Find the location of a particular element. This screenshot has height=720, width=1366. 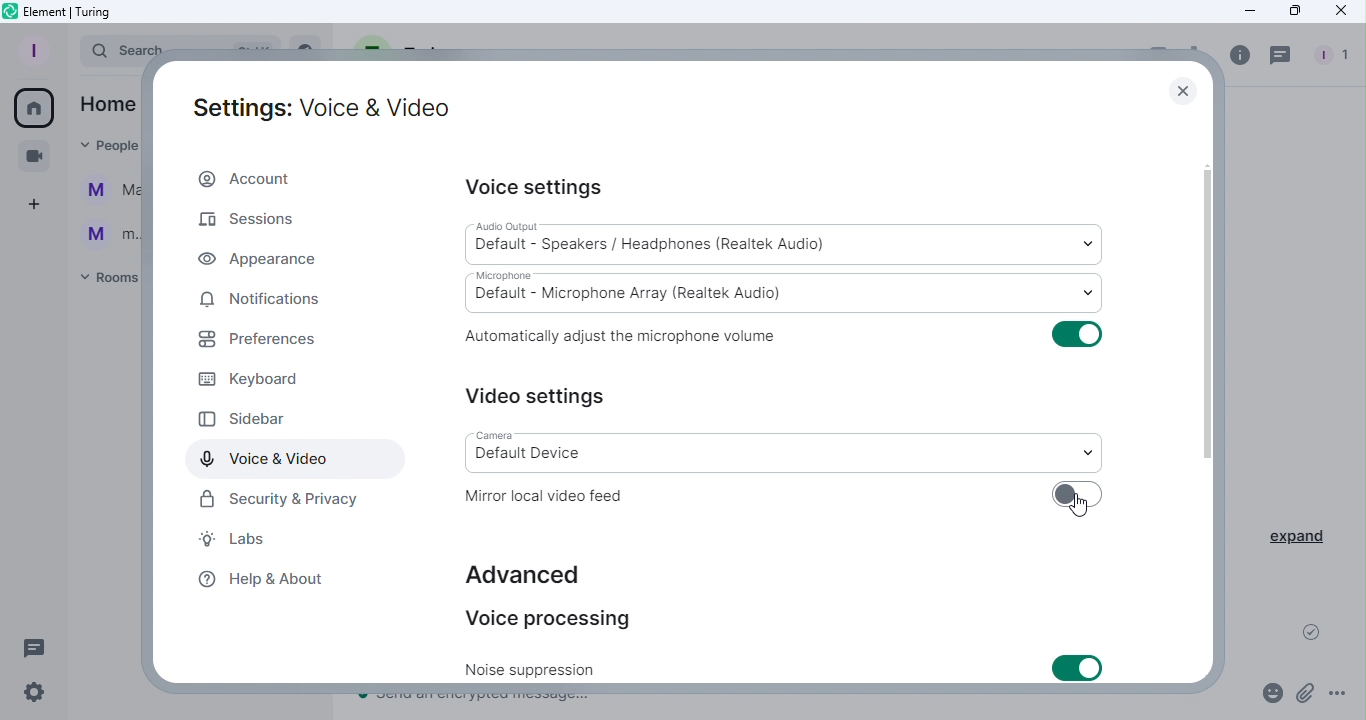

Quick settings is located at coordinates (39, 695).